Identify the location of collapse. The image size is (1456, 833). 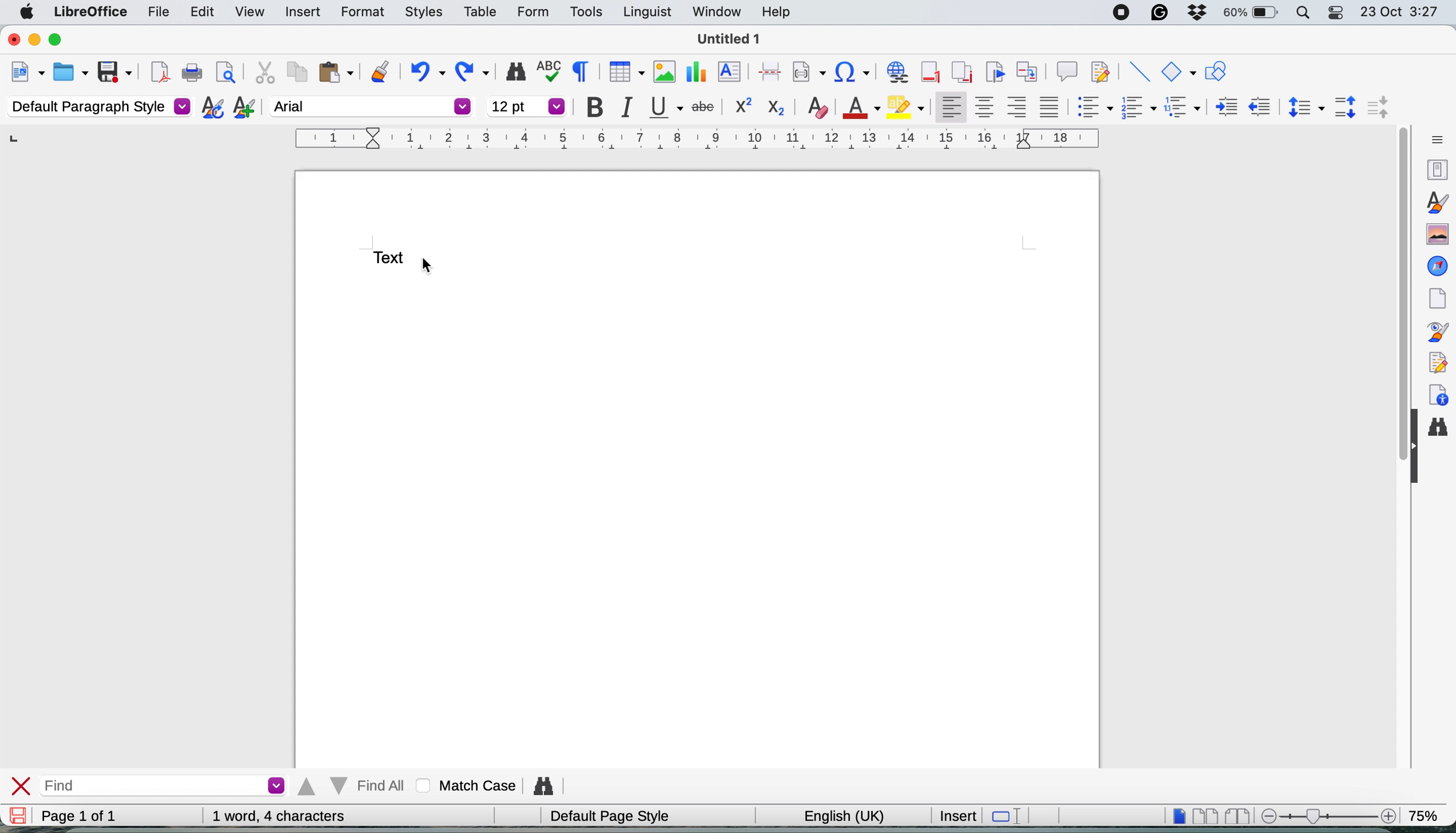
(1415, 453).